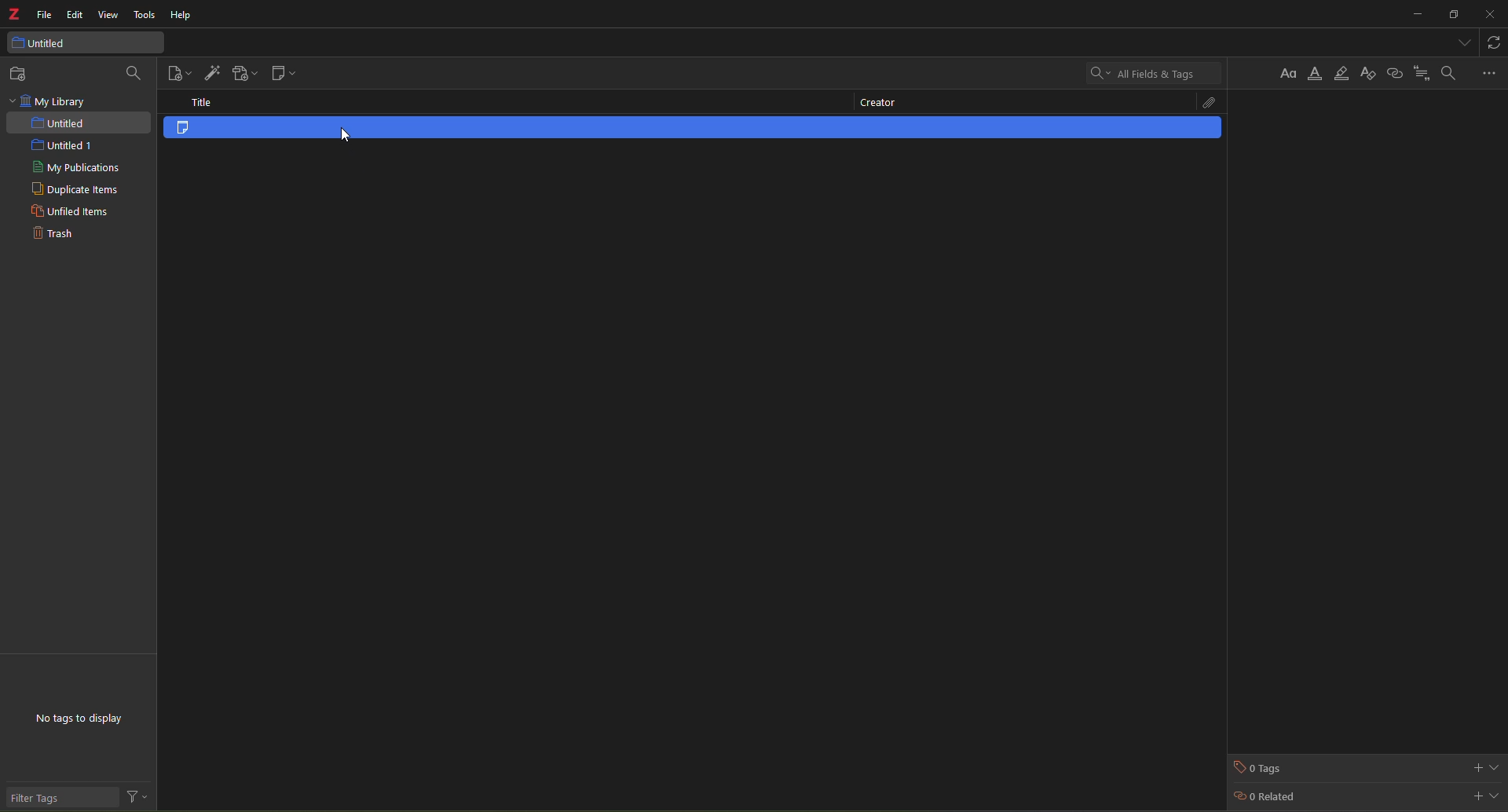 The height and width of the screenshot is (812, 1508). Describe the element at coordinates (1495, 766) in the screenshot. I see `expand` at that location.